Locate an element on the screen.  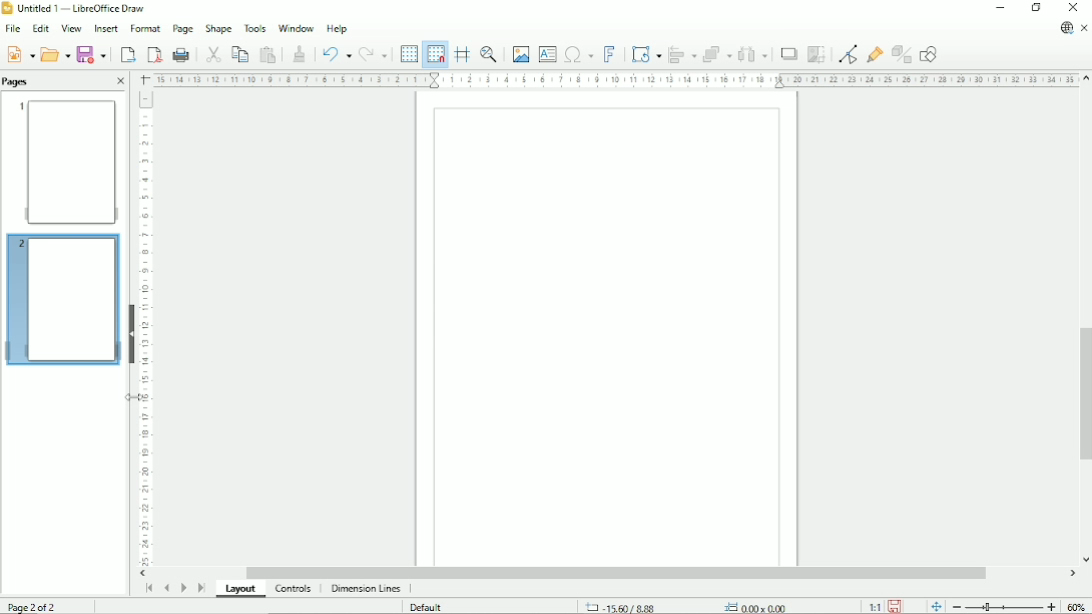
Show gluepoint functions is located at coordinates (875, 54).